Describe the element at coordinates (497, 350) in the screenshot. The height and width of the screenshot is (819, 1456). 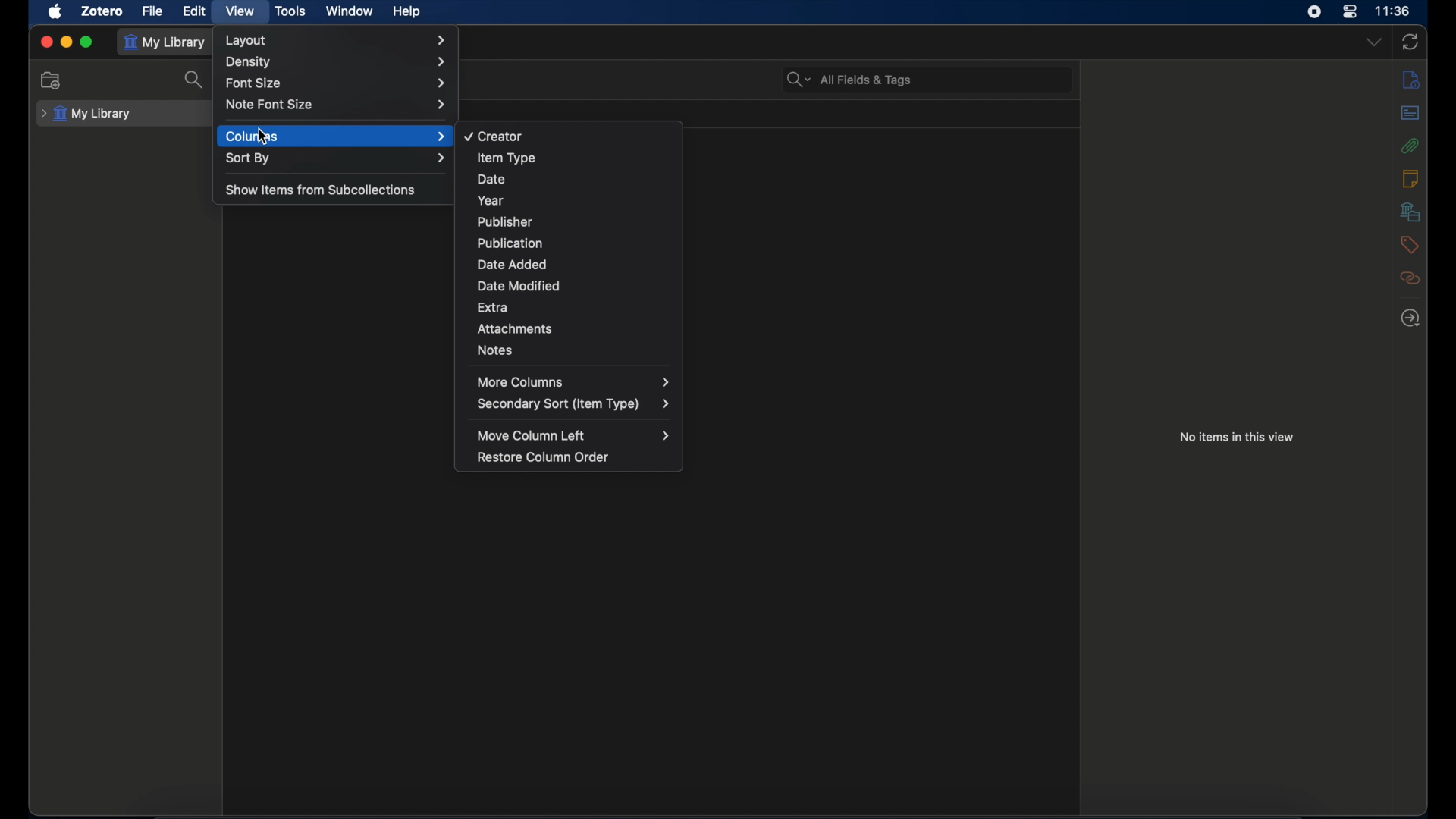
I see `notes` at that location.